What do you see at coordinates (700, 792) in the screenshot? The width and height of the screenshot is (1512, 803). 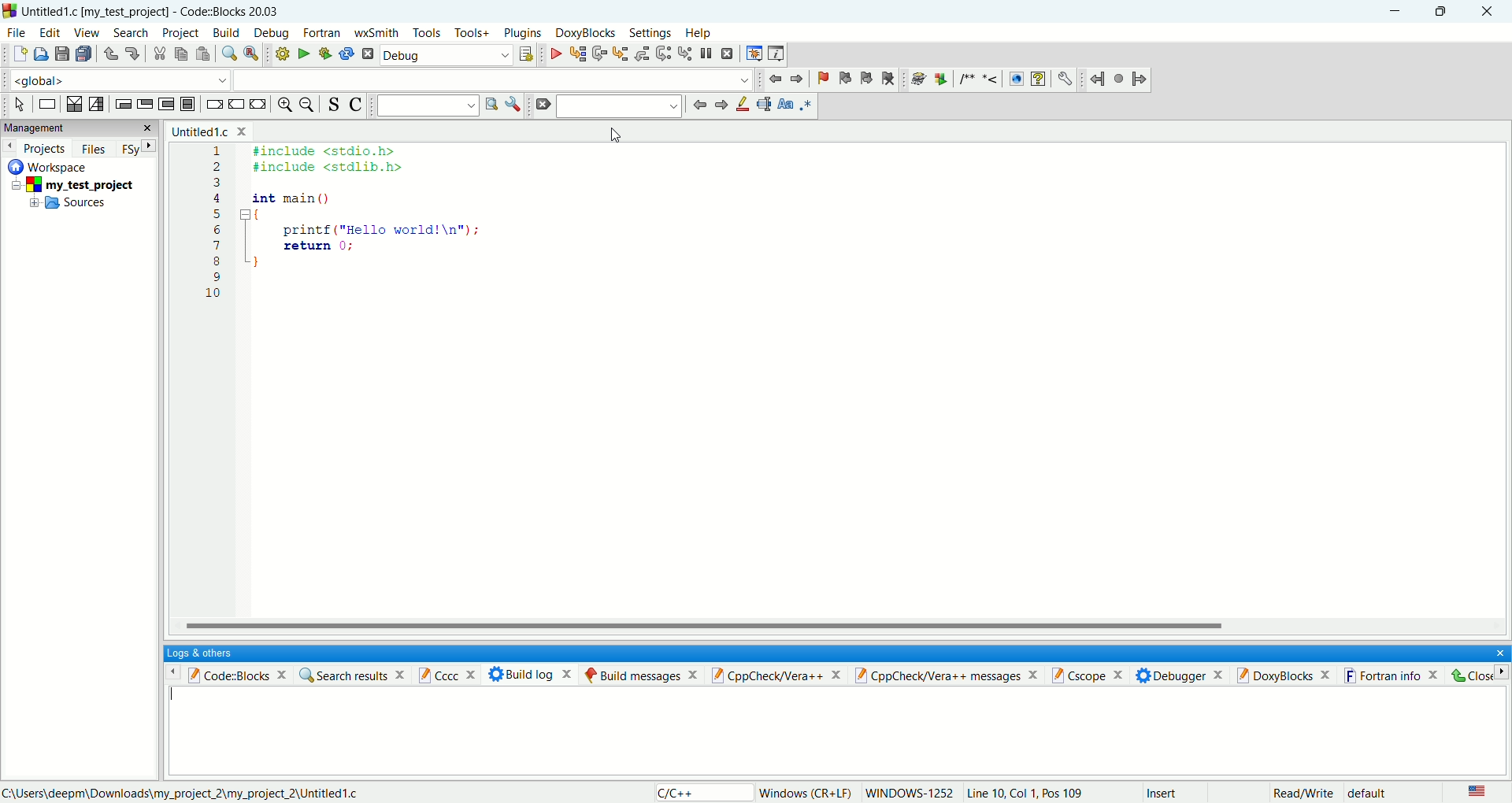 I see `C/C++` at bounding box center [700, 792].